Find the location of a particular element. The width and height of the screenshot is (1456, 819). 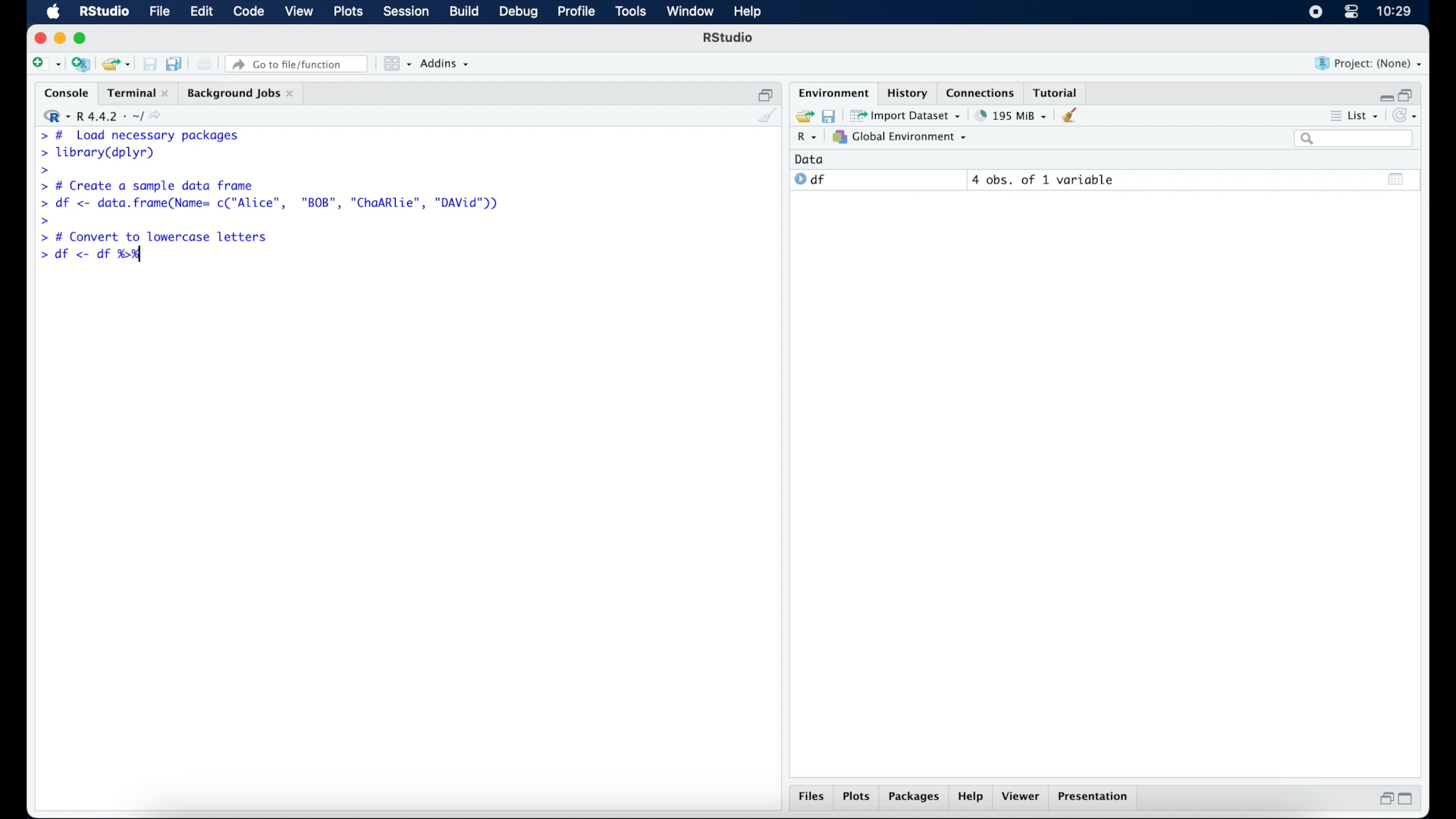

connections is located at coordinates (982, 92).